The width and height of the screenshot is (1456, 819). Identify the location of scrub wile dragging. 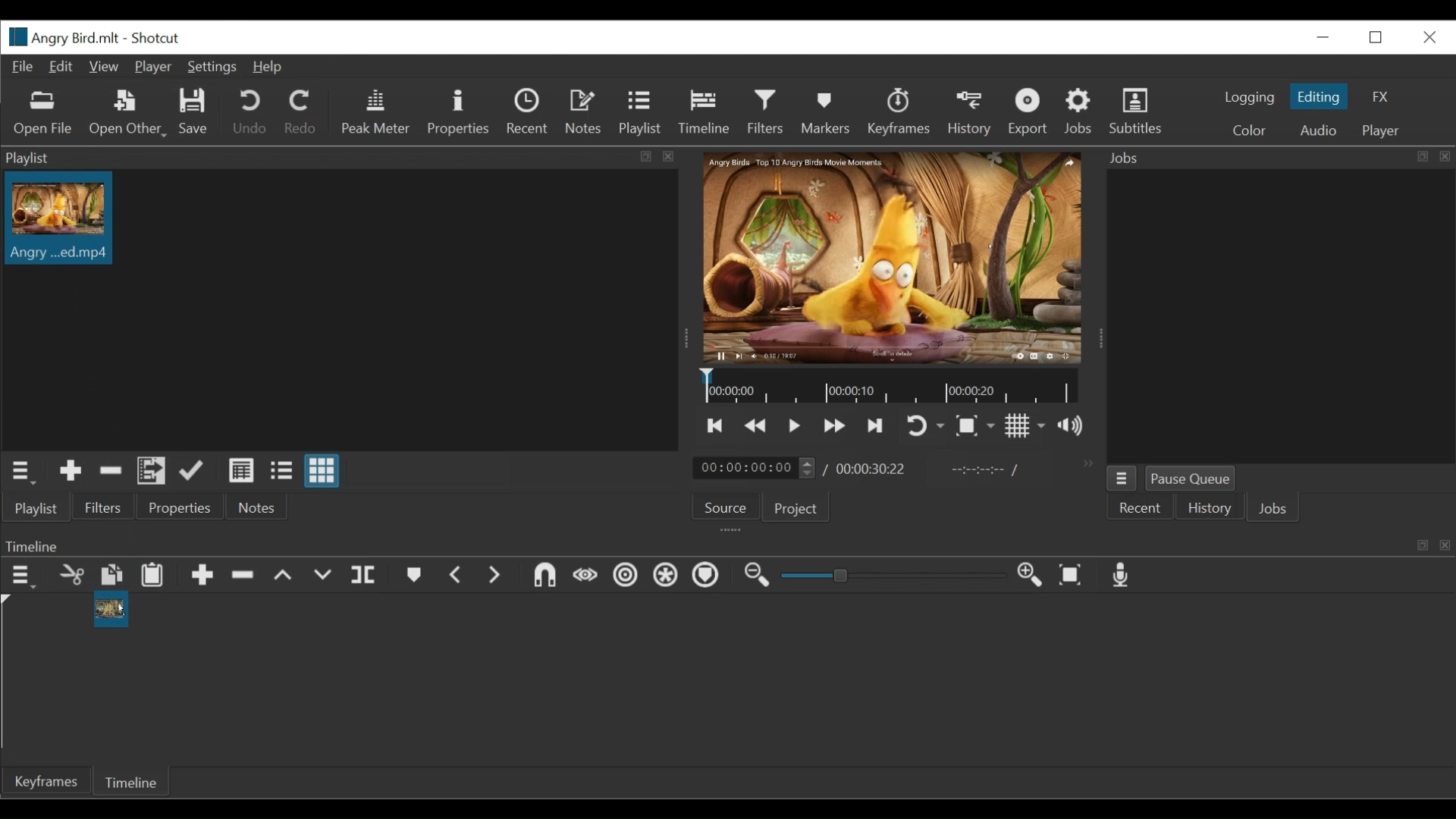
(585, 575).